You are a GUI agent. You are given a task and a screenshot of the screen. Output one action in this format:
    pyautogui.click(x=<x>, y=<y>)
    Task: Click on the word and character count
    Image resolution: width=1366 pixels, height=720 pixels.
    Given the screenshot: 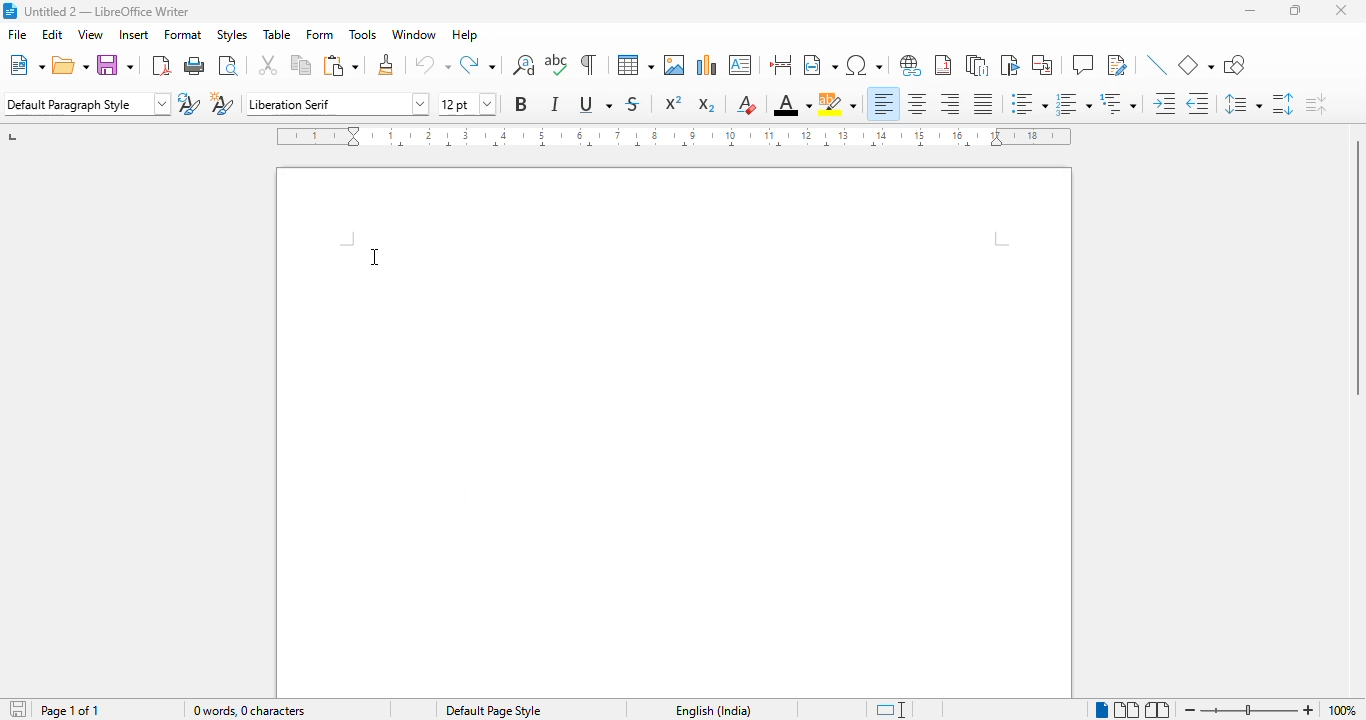 What is the action you would take?
    pyautogui.click(x=248, y=710)
    